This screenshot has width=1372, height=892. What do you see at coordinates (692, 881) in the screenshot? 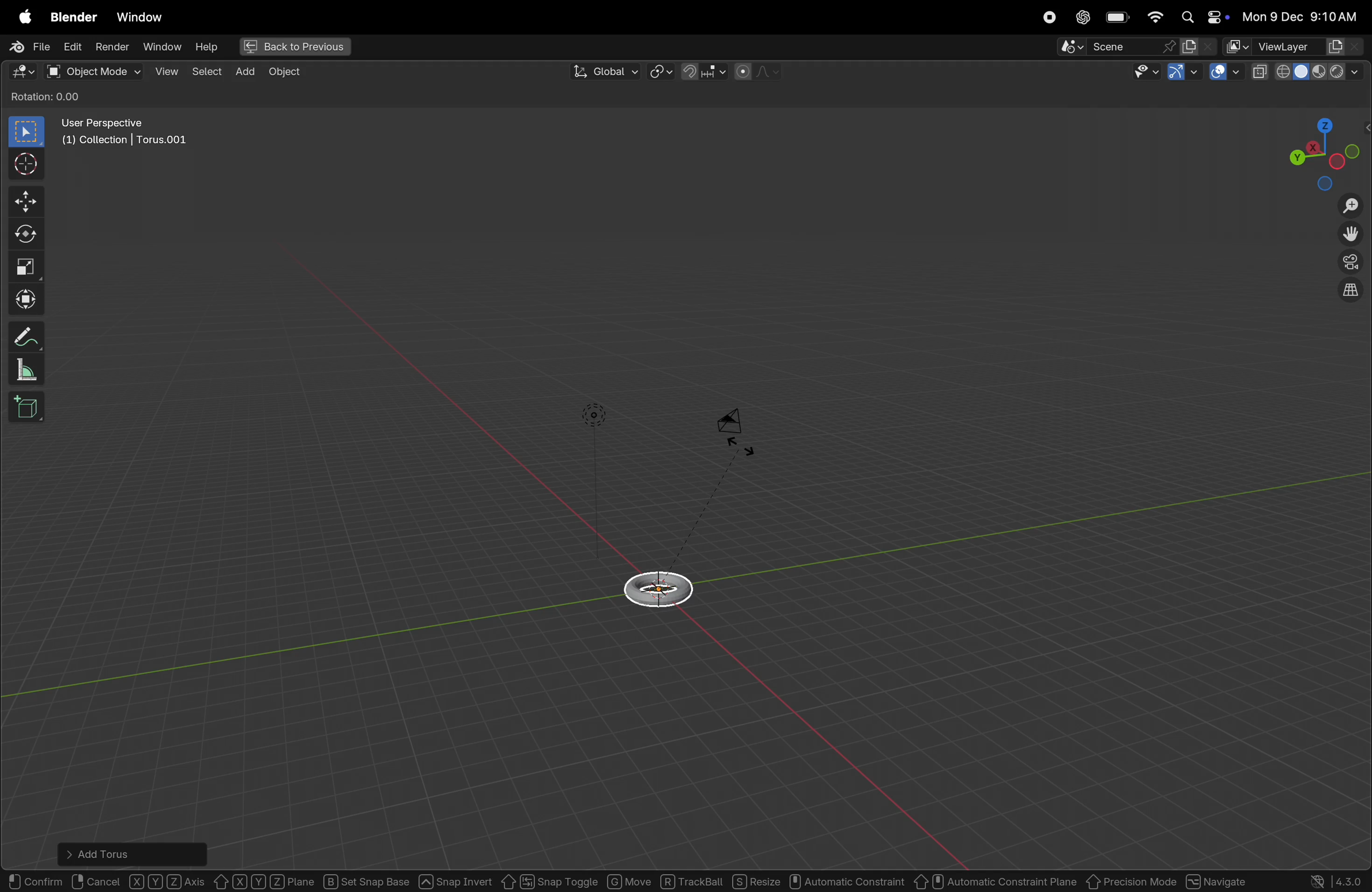
I see `trackball` at bounding box center [692, 881].